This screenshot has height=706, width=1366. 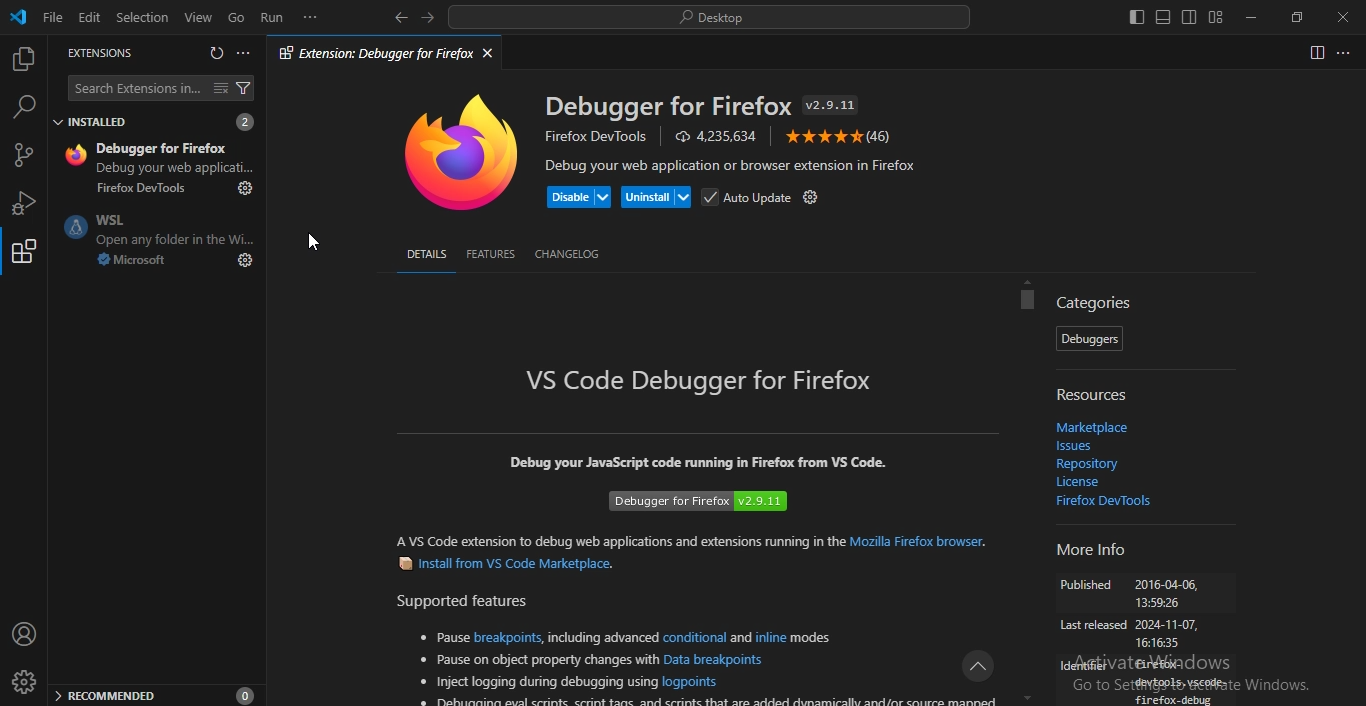 What do you see at coordinates (820, 137) in the screenshot?
I see `five stars` at bounding box center [820, 137].